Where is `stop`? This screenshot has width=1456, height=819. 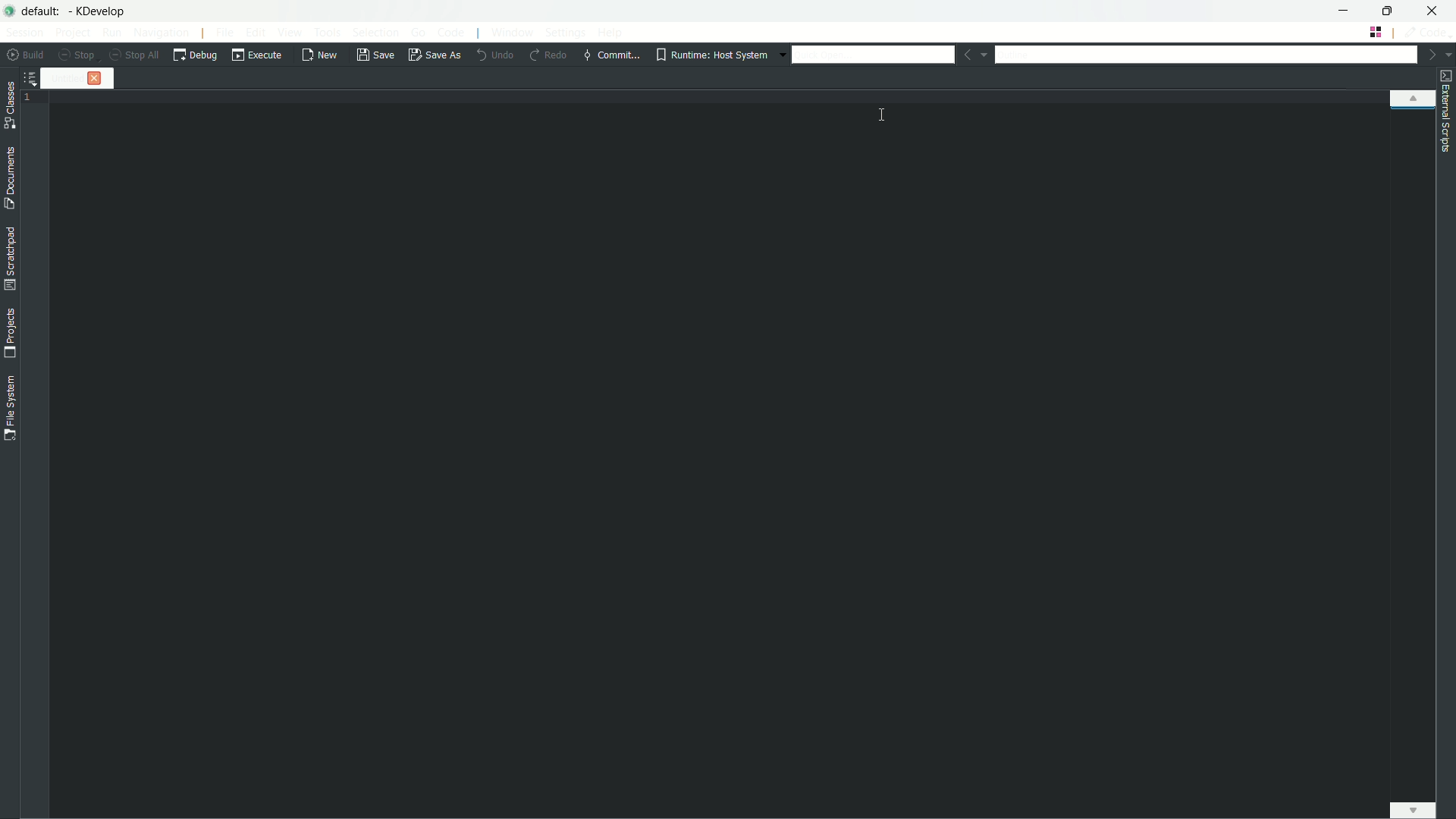
stop is located at coordinates (77, 55).